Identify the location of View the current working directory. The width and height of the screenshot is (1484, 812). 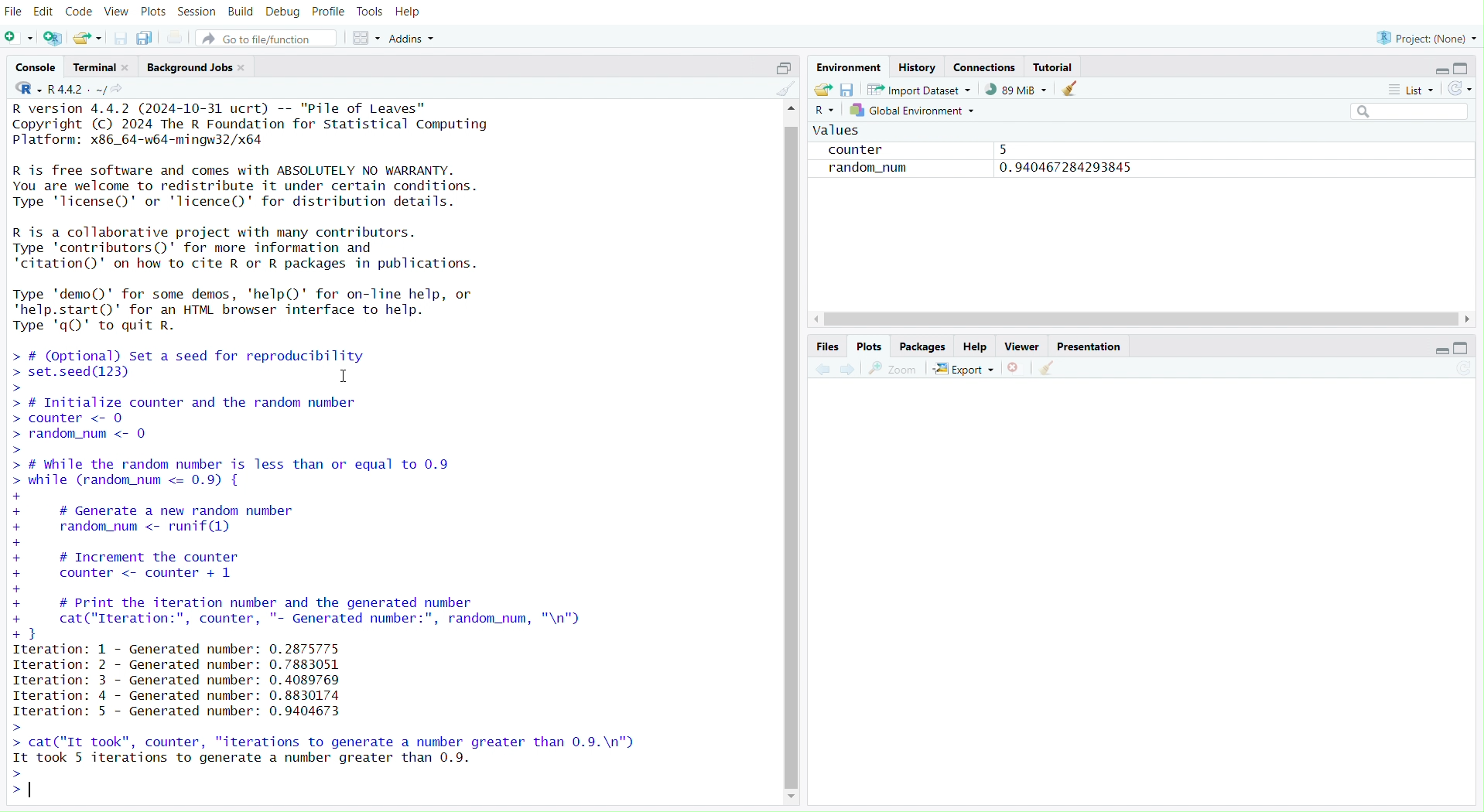
(133, 90).